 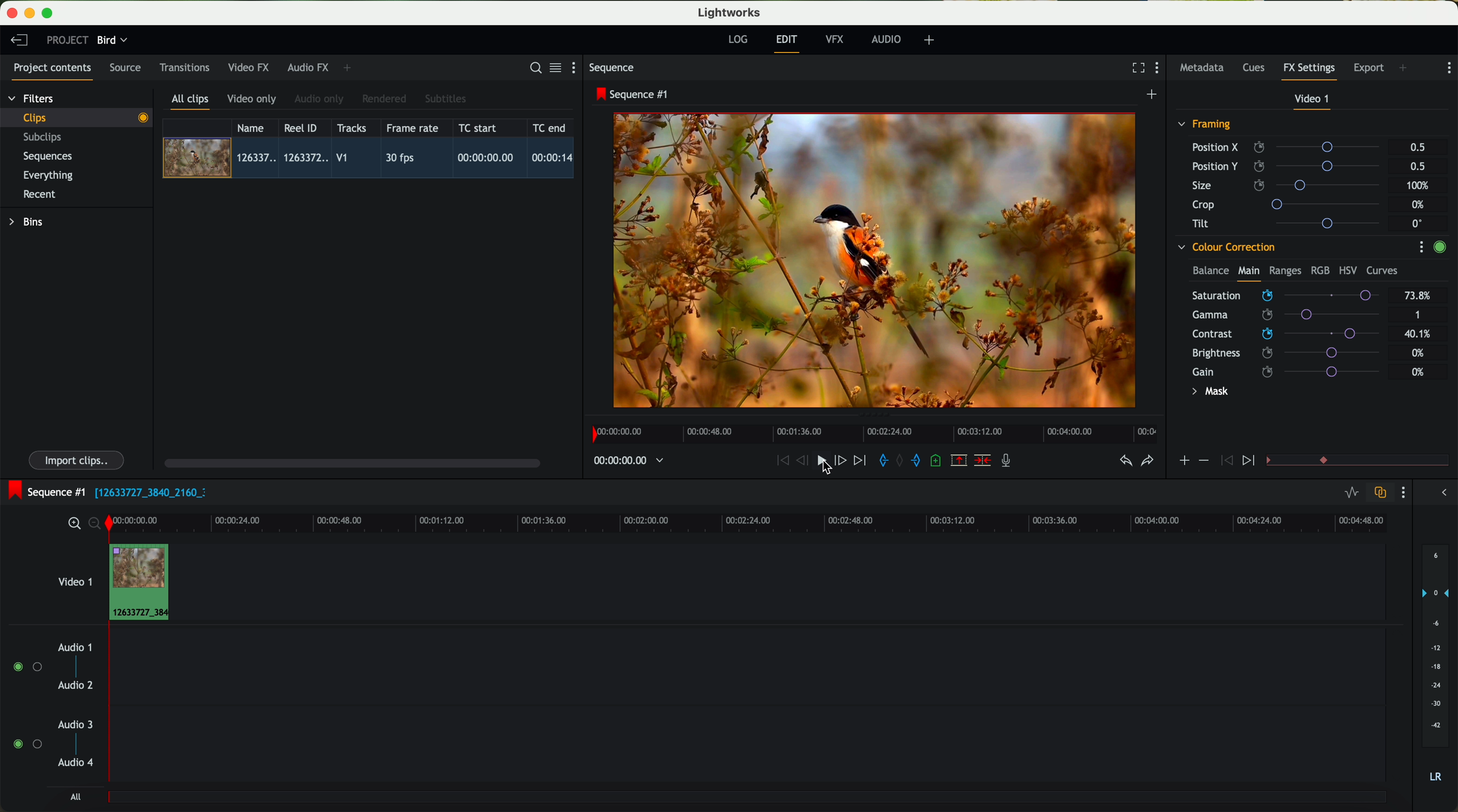 I want to click on TC start, so click(x=479, y=127).